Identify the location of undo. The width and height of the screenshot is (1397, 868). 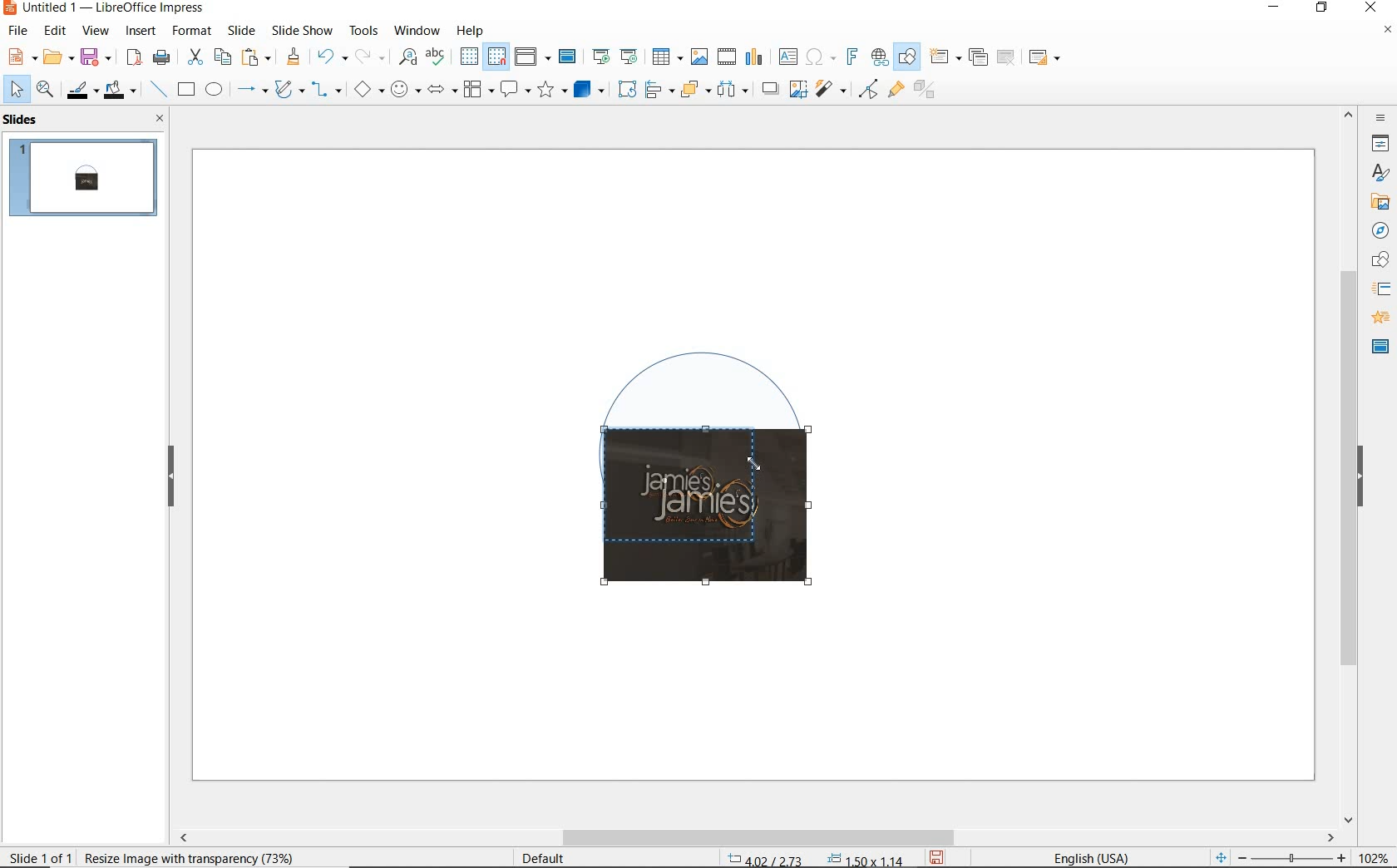
(329, 58).